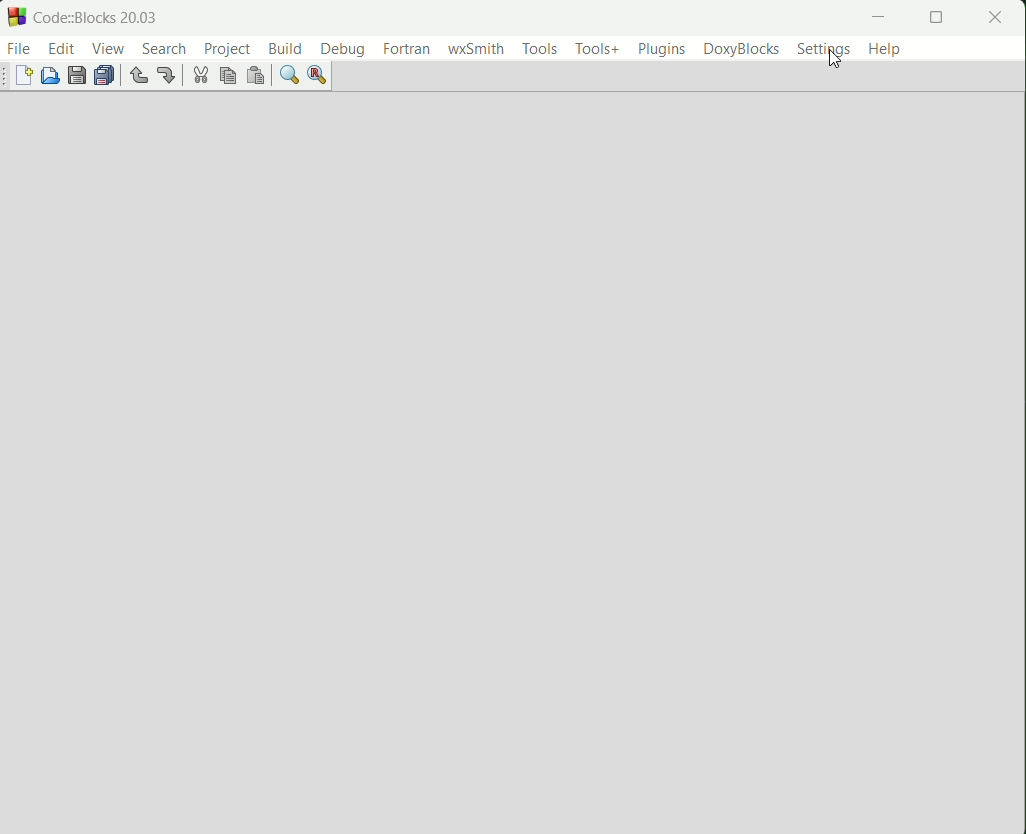 The height and width of the screenshot is (834, 1026). Describe the element at coordinates (96, 18) in the screenshot. I see `CodezBlocks 20.03` at that location.